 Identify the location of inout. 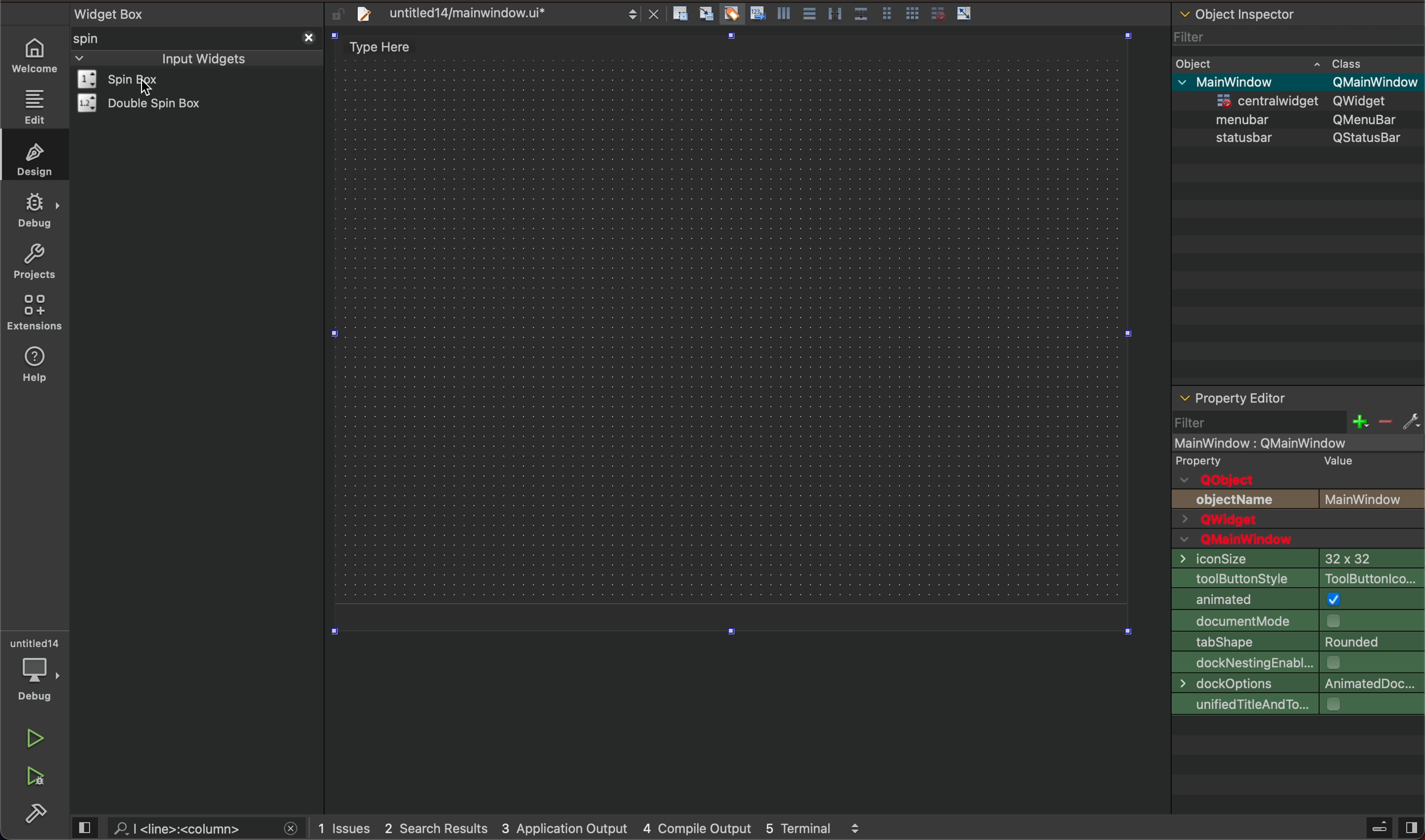
(203, 57).